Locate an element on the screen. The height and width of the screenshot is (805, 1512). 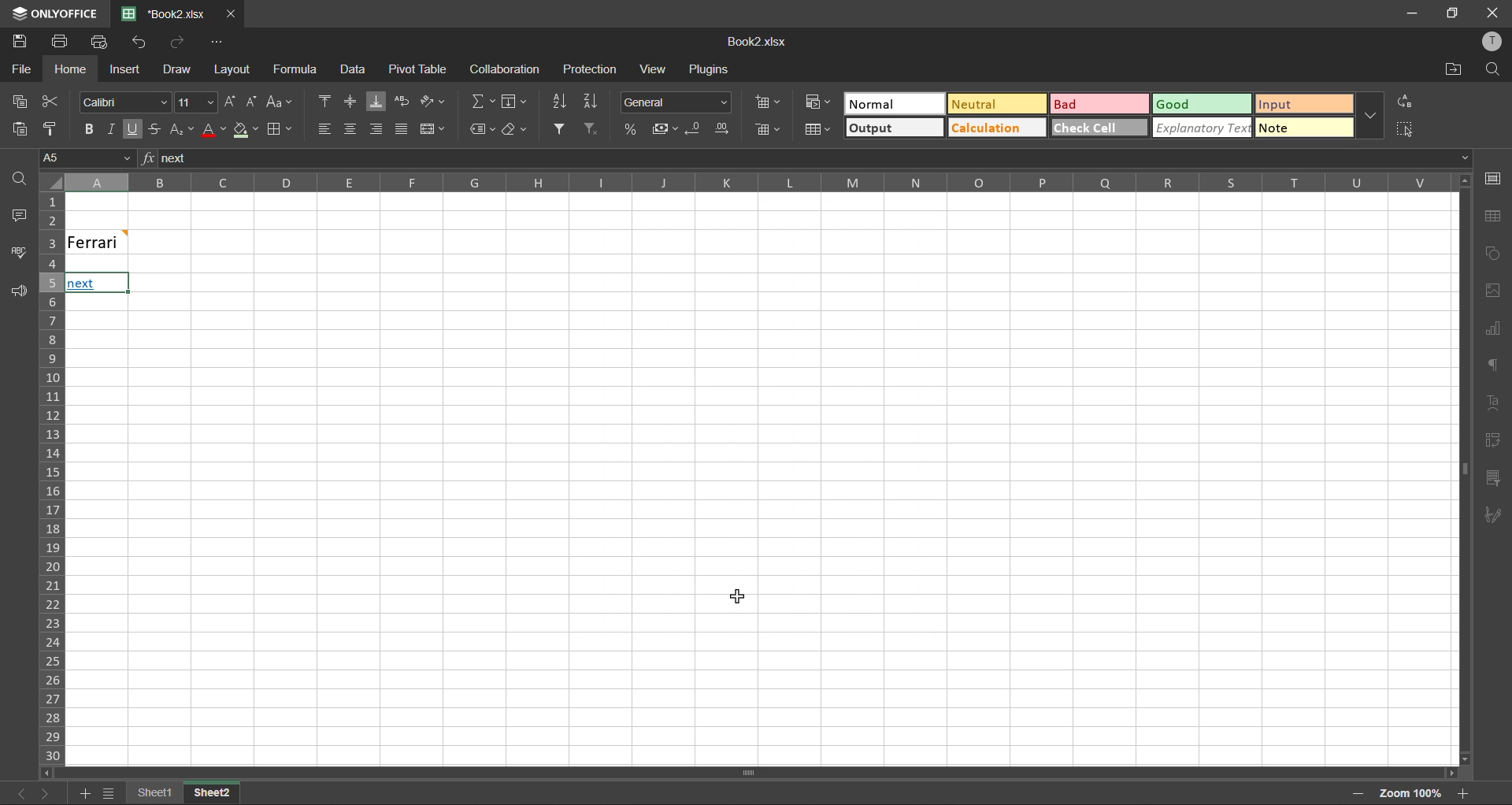
decrement size is located at coordinates (250, 102).